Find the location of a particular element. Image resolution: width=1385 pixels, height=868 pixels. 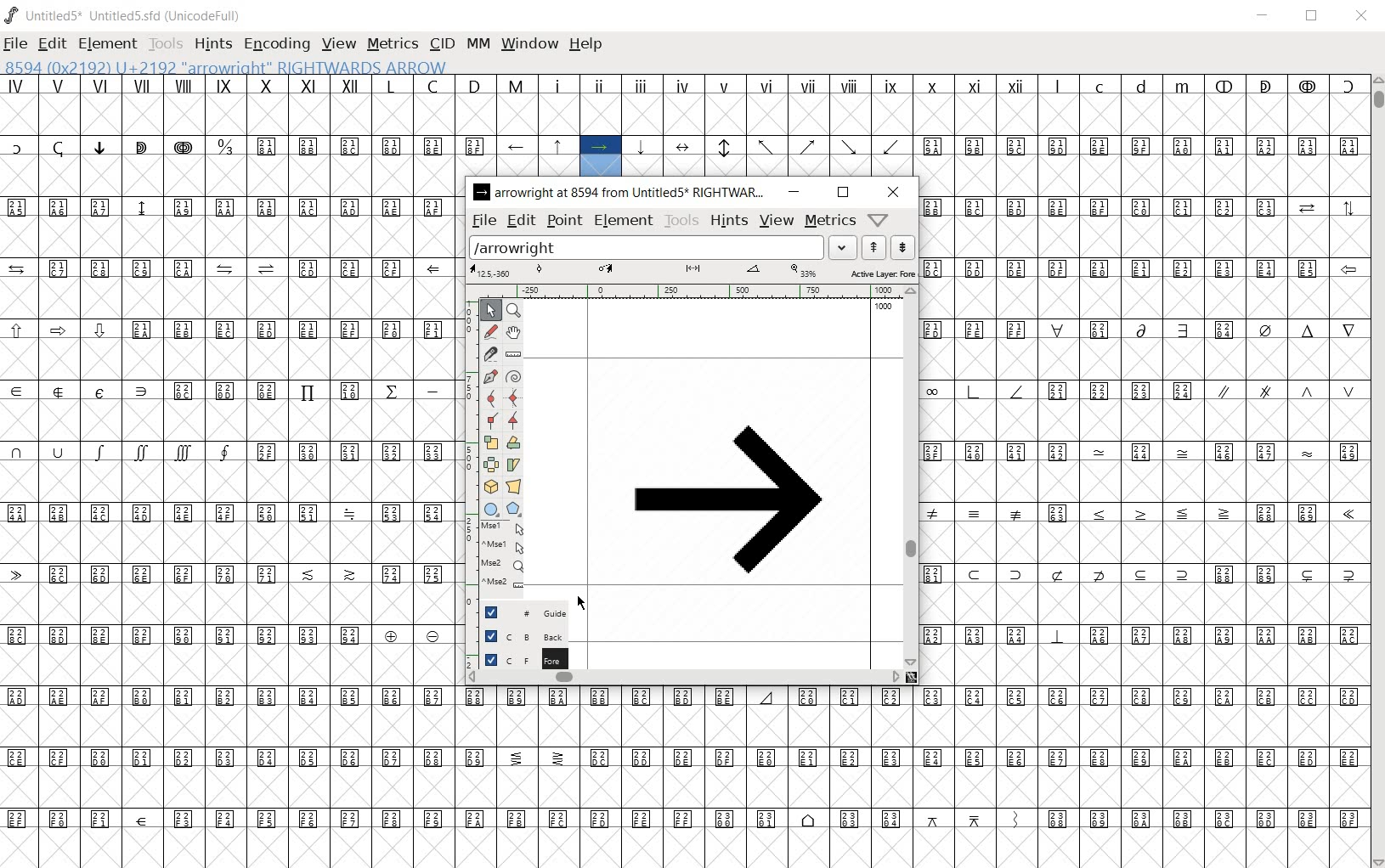

tools is located at coordinates (682, 220).